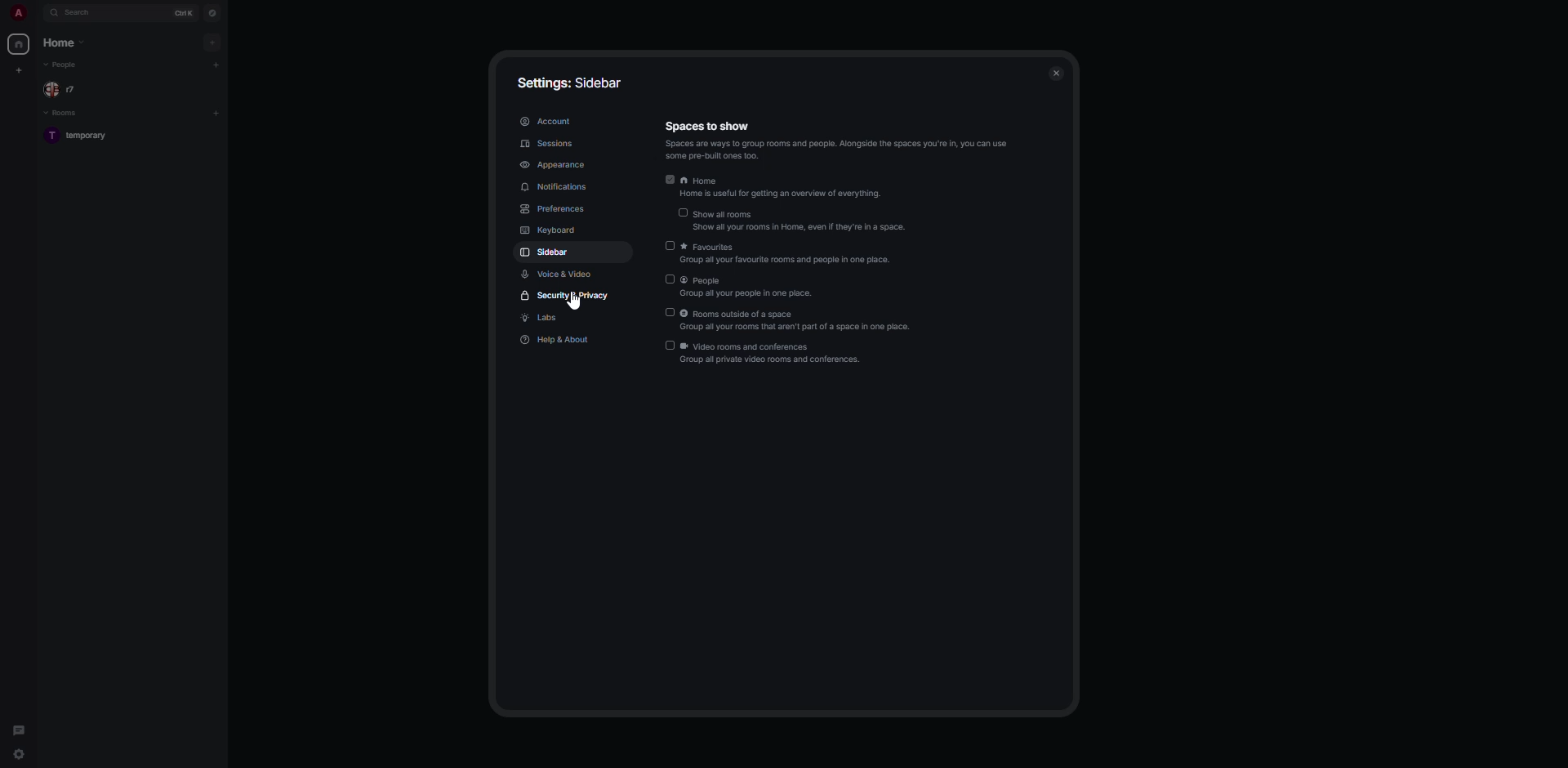 Image resolution: width=1568 pixels, height=768 pixels. What do you see at coordinates (791, 217) in the screenshot?
I see `show all rooms` at bounding box center [791, 217].